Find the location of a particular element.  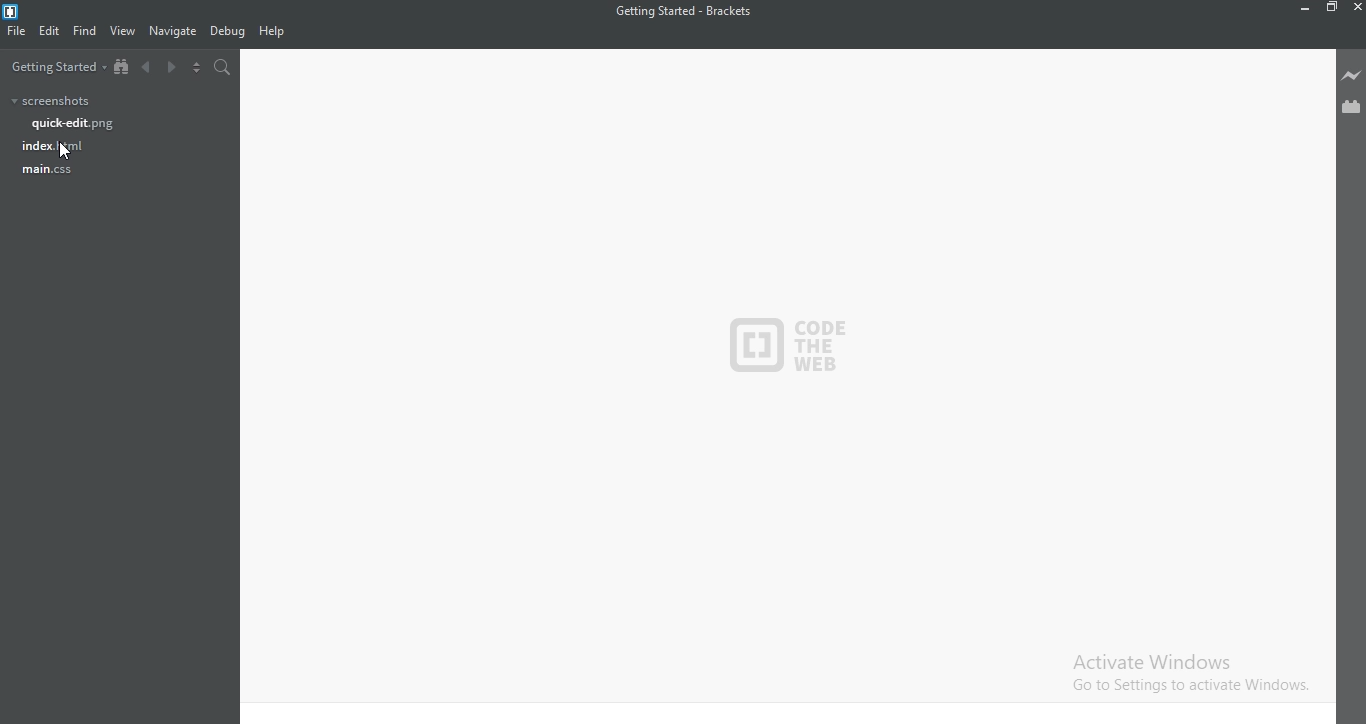

getting started - Brackets is located at coordinates (686, 11).